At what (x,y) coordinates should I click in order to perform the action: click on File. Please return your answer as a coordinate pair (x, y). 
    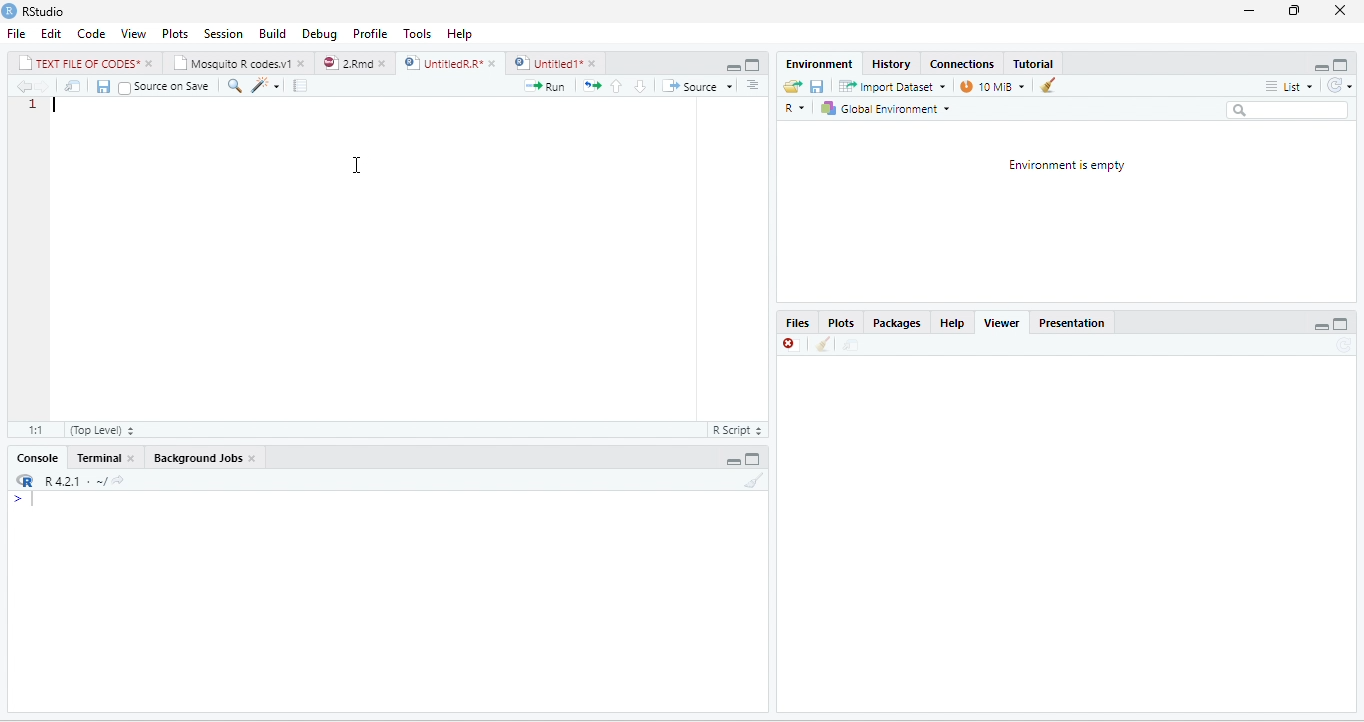
    Looking at the image, I should click on (15, 33).